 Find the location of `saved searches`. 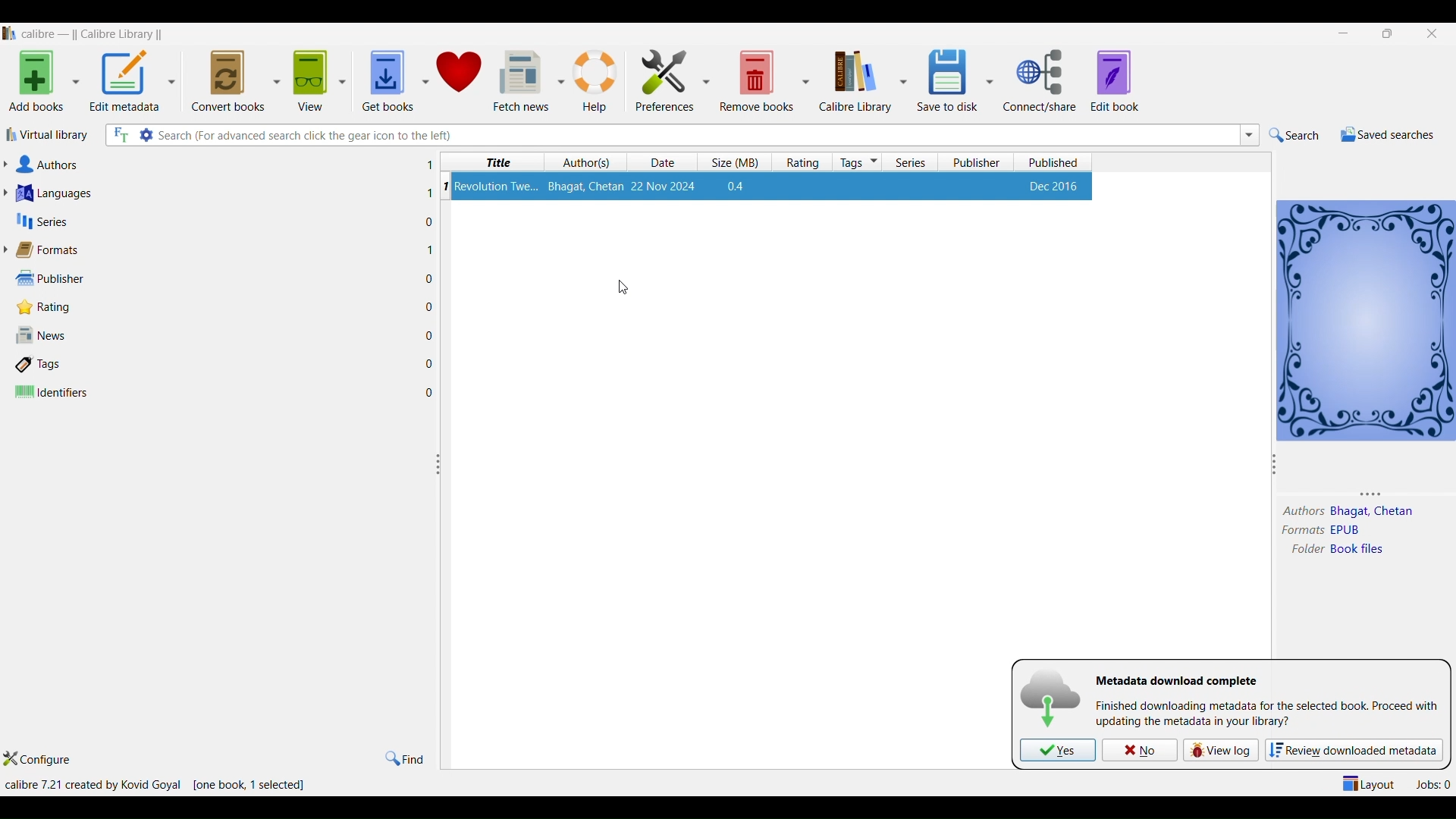

saved searches is located at coordinates (1384, 133).